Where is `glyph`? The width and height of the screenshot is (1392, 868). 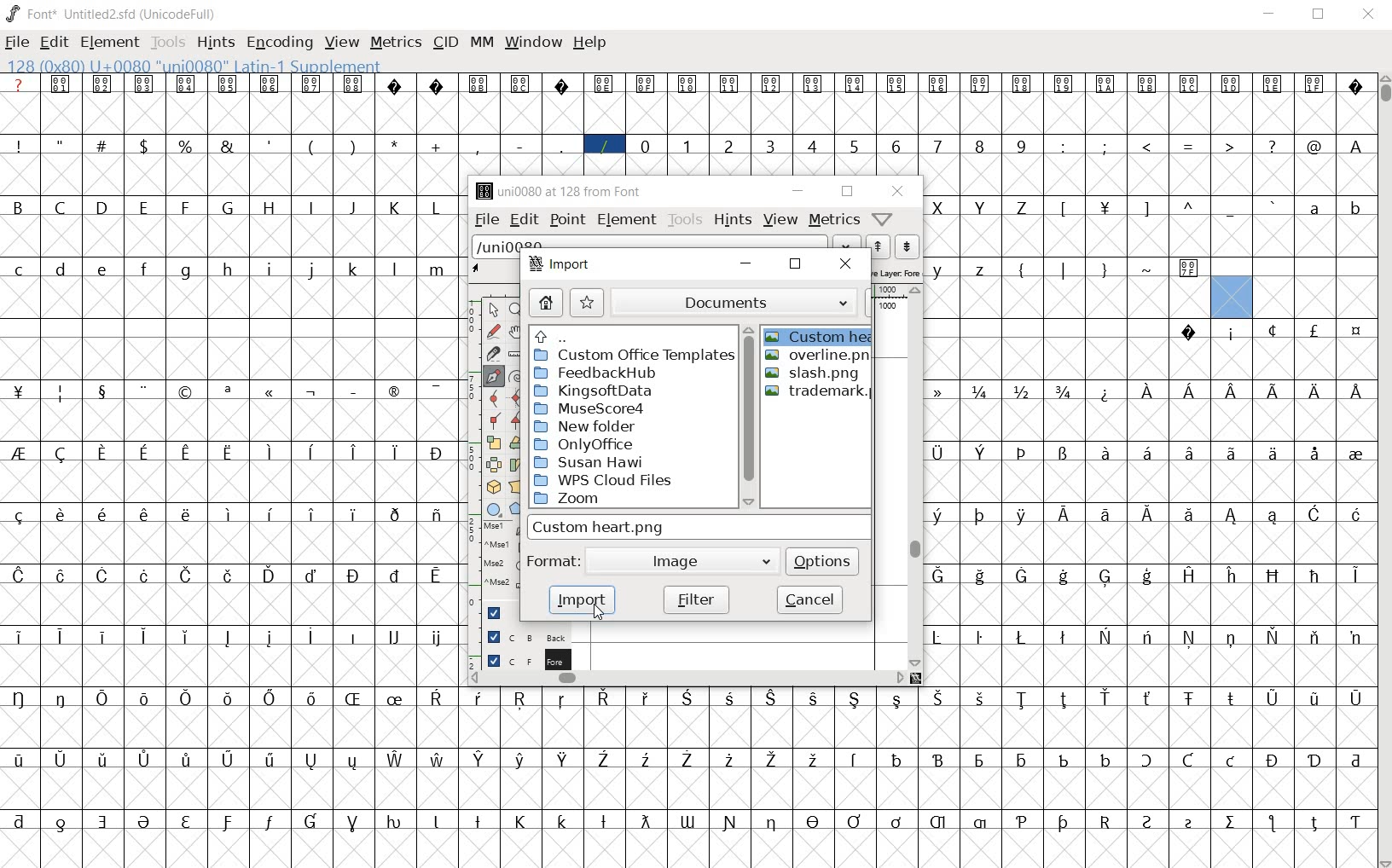 glyph is located at coordinates (520, 147).